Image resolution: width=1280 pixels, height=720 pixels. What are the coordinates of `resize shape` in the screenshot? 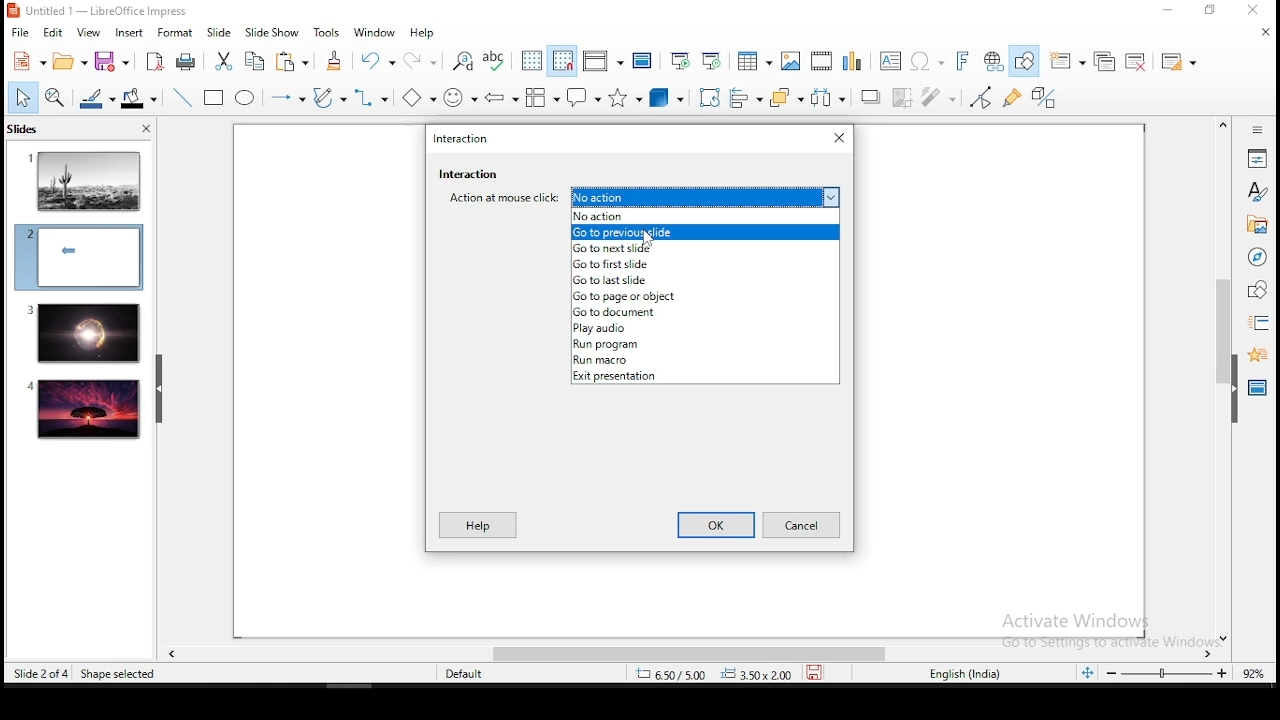 It's located at (114, 673).